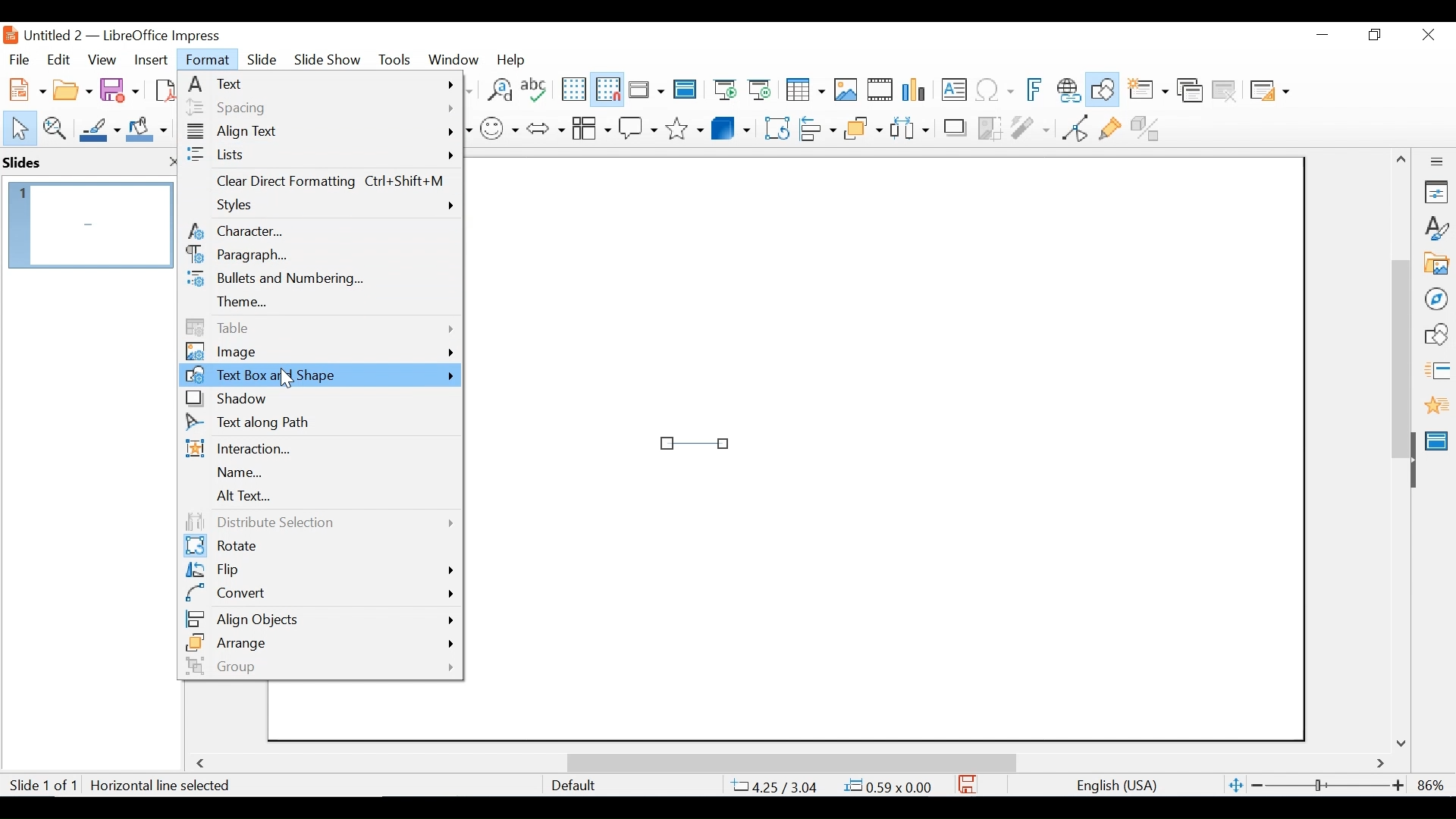 The height and width of the screenshot is (819, 1456). Describe the element at coordinates (1068, 90) in the screenshot. I see `Insert Hyperlink` at that location.